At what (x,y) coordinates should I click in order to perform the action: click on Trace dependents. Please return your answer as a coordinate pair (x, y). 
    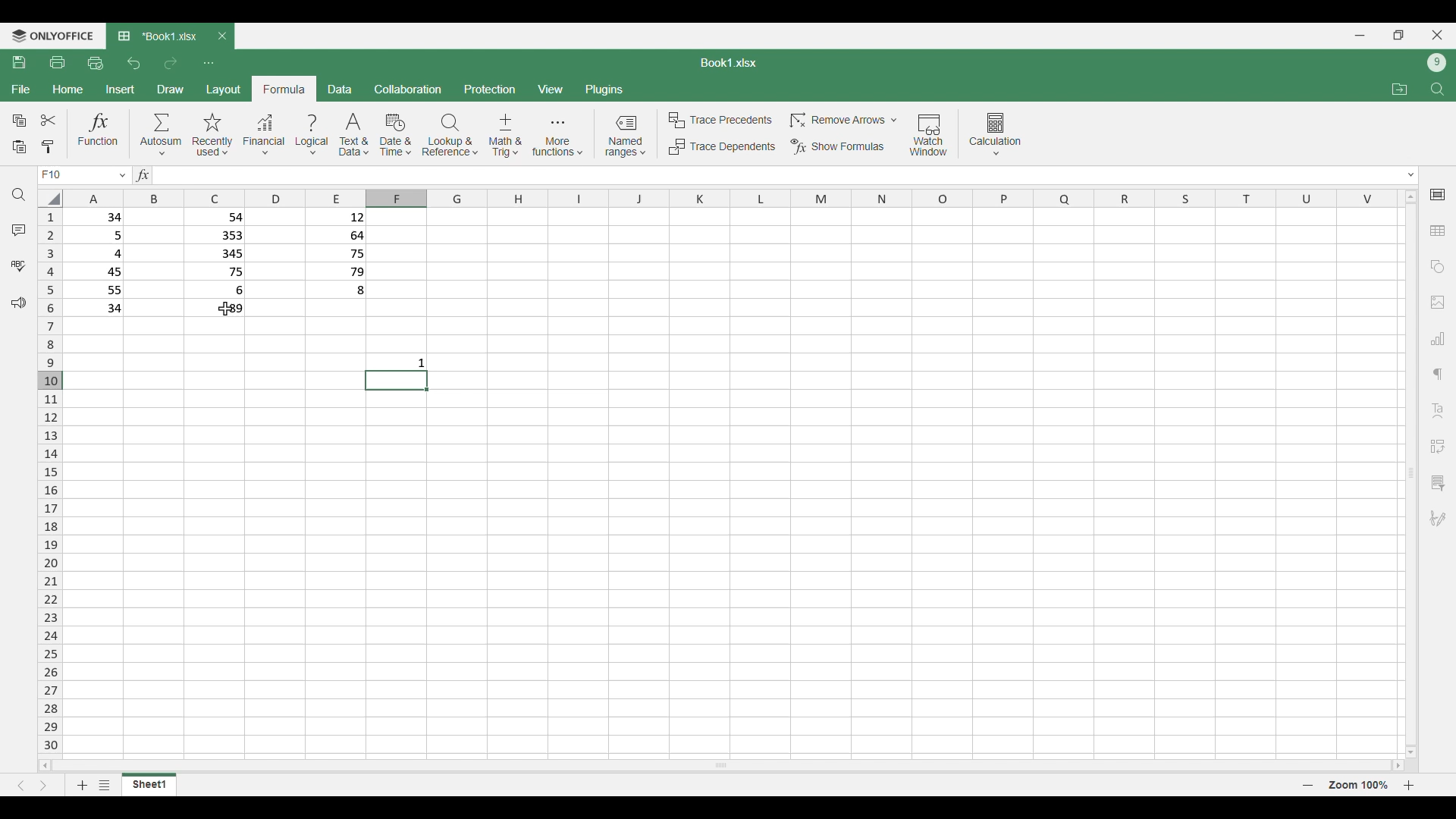
    Looking at the image, I should click on (721, 147).